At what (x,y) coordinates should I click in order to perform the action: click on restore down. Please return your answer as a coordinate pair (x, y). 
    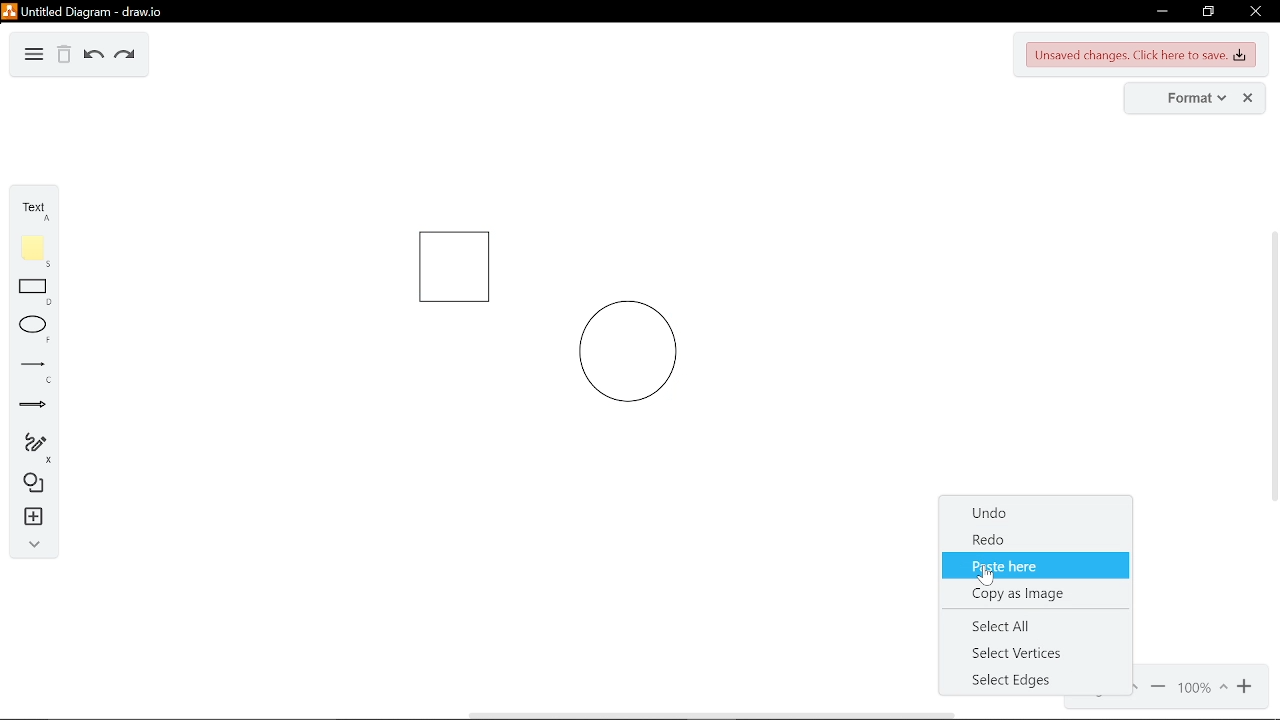
    Looking at the image, I should click on (1210, 12).